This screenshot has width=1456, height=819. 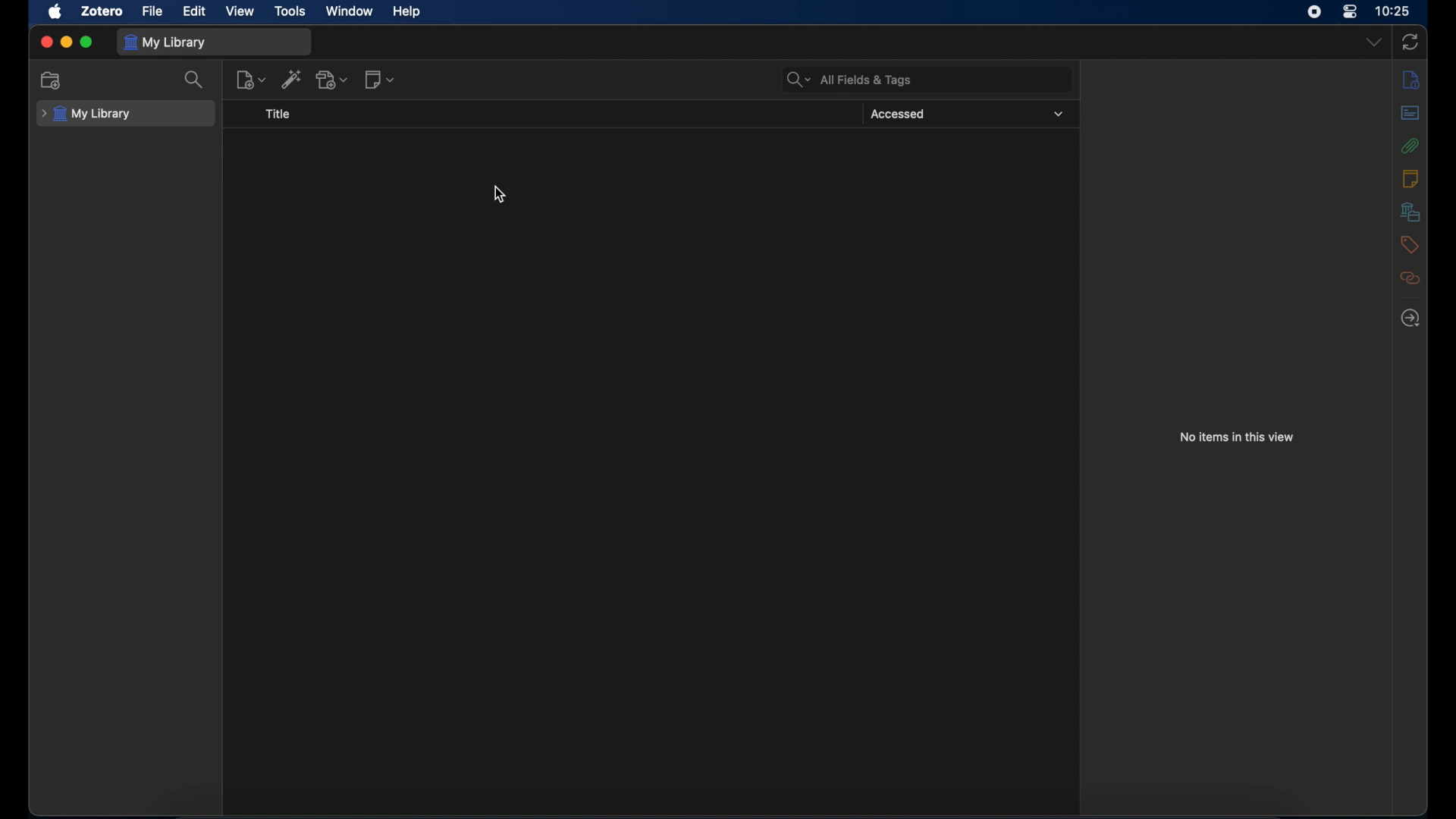 I want to click on zotero, so click(x=102, y=11).